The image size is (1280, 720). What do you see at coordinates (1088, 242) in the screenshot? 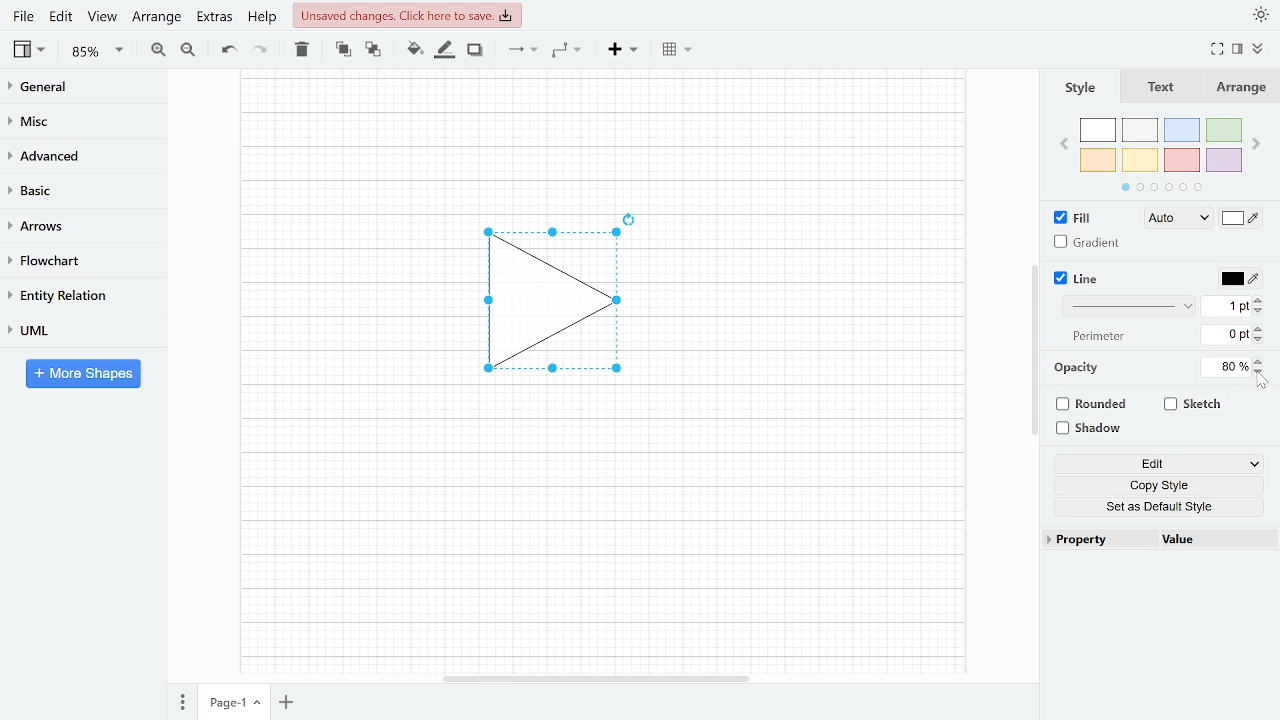
I see `Gradient` at bounding box center [1088, 242].